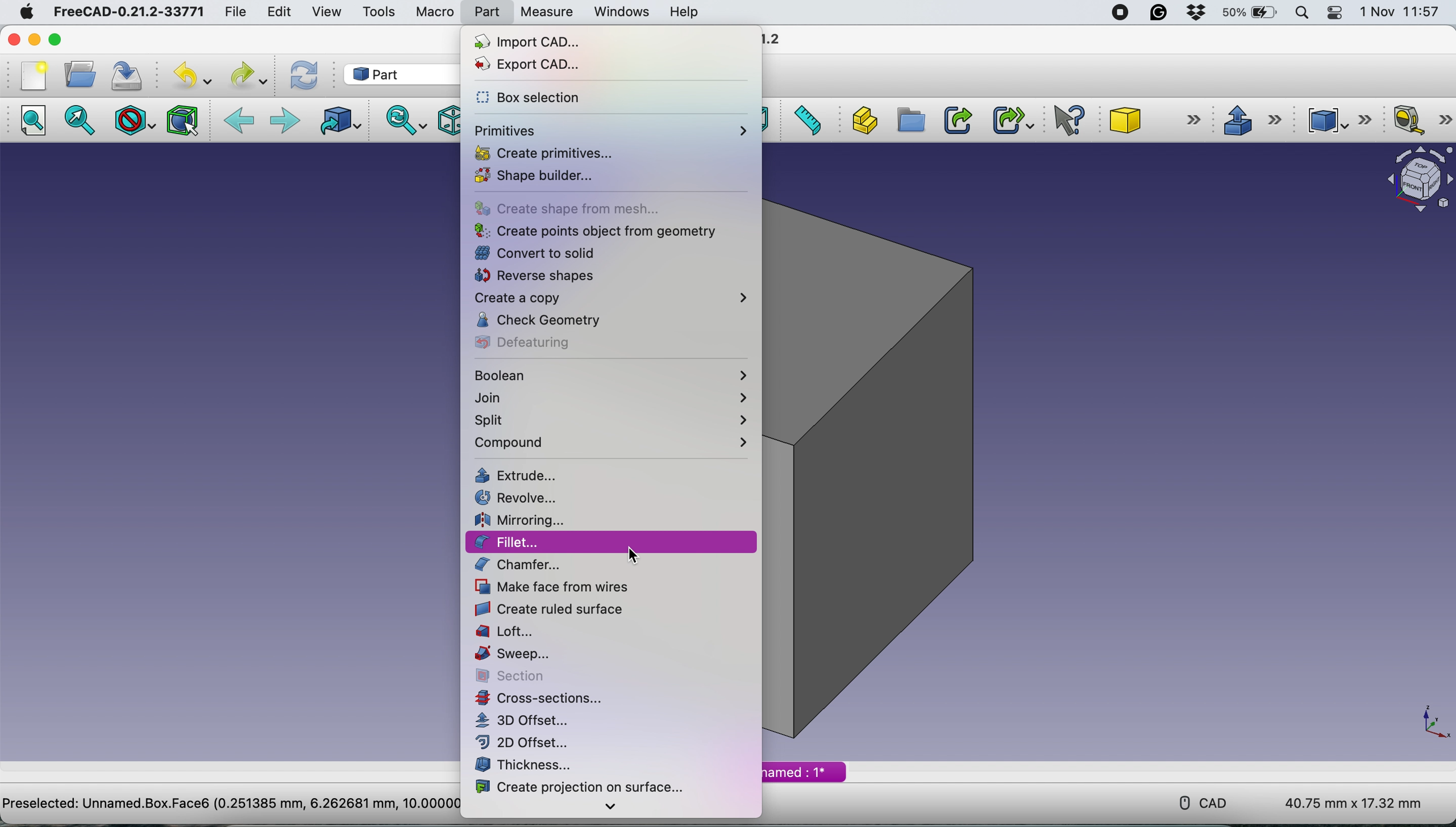  I want to click on grammarly, so click(1162, 13).